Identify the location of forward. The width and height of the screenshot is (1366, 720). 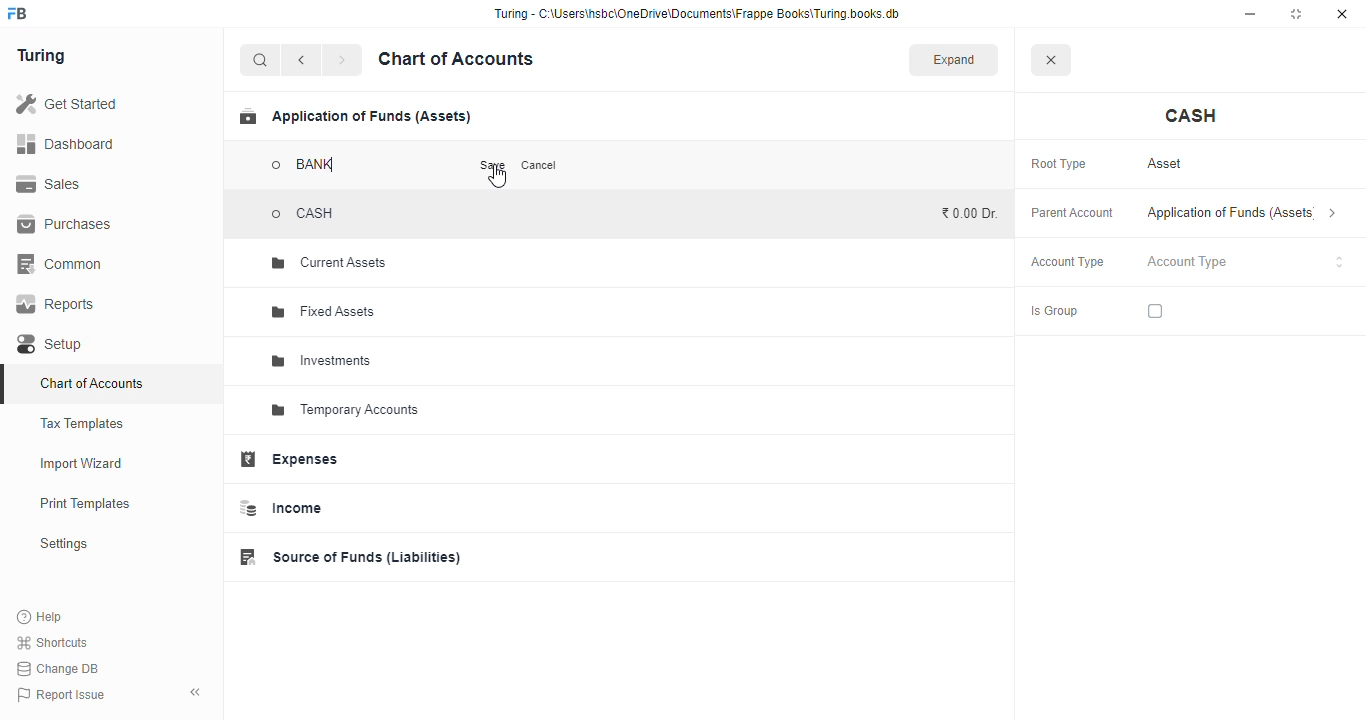
(342, 60).